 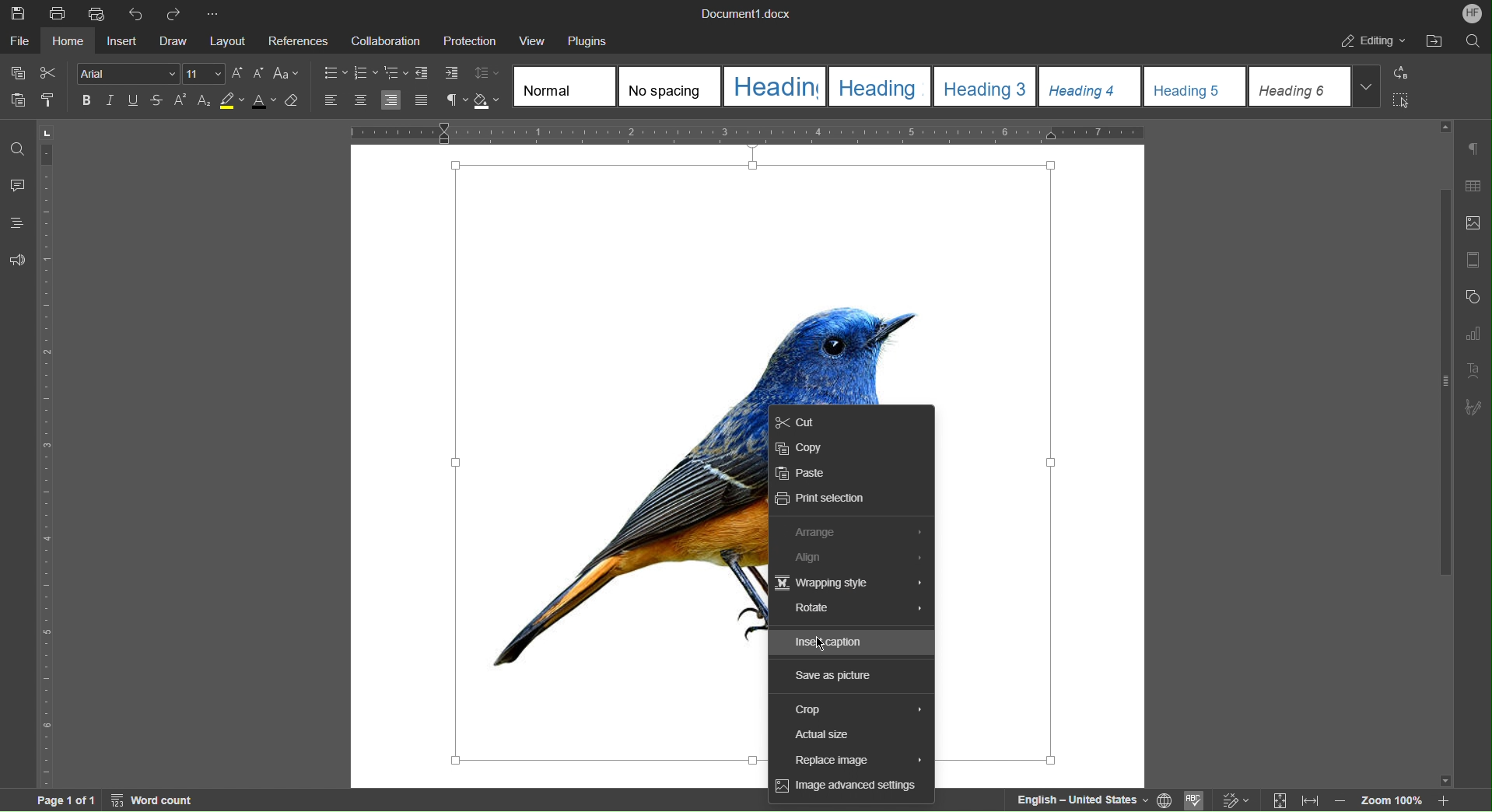 What do you see at coordinates (54, 800) in the screenshot?
I see `Page 1 of 1` at bounding box center [54, 800].